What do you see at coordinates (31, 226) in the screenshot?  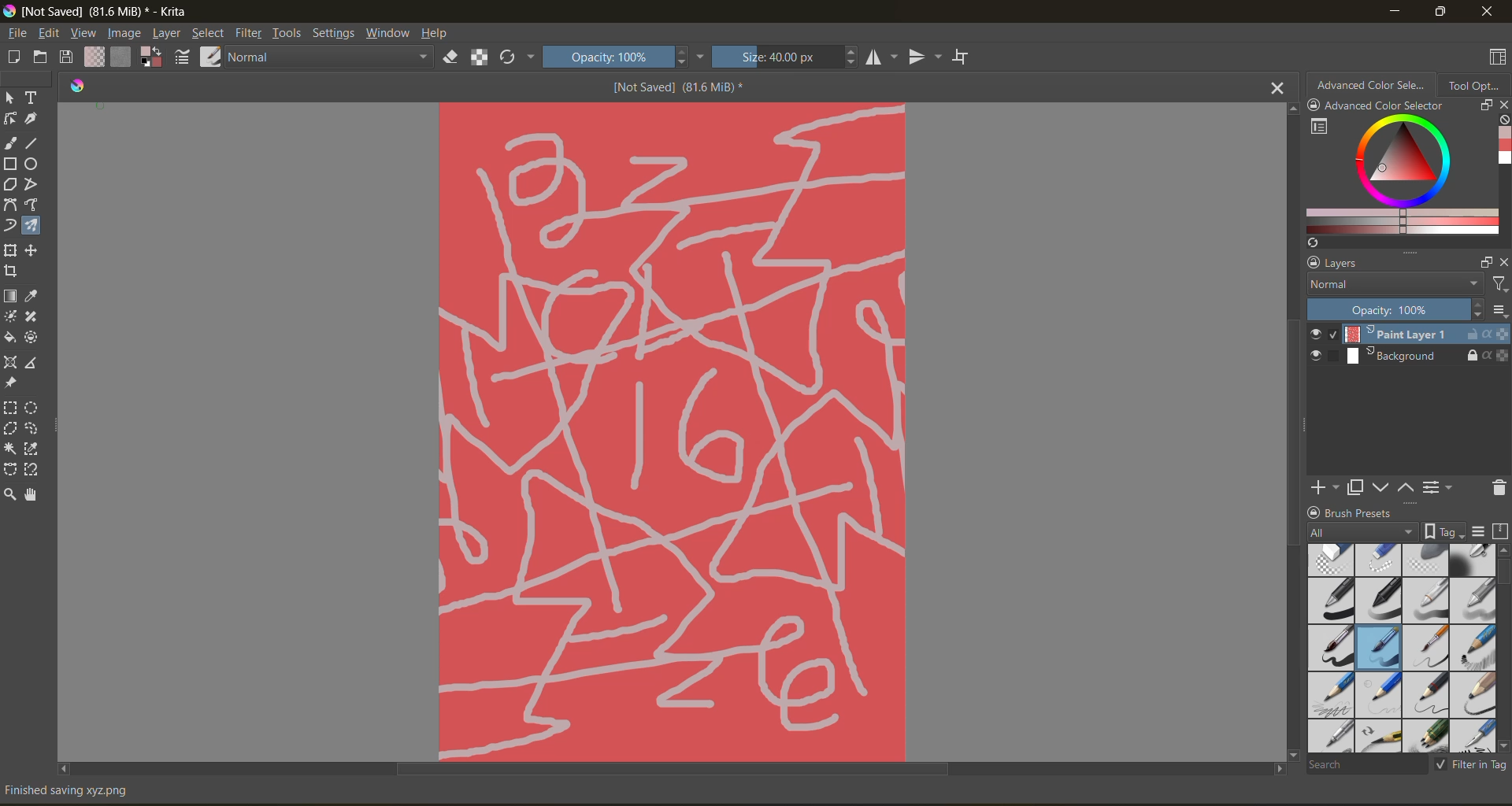 I see `tool` at bounding box center [31, 226].